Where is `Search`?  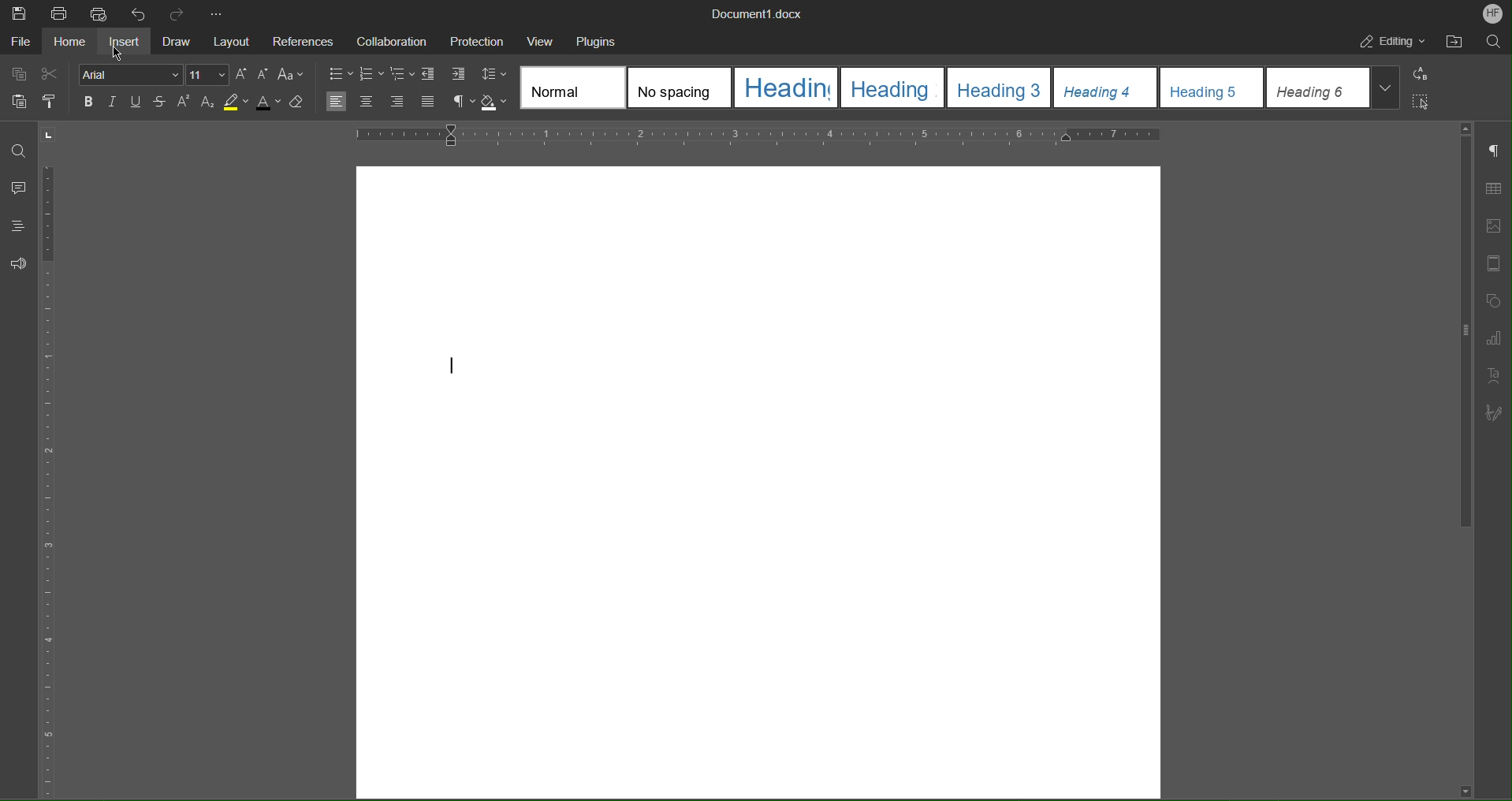
Search is located at coordinates (1497, 43).